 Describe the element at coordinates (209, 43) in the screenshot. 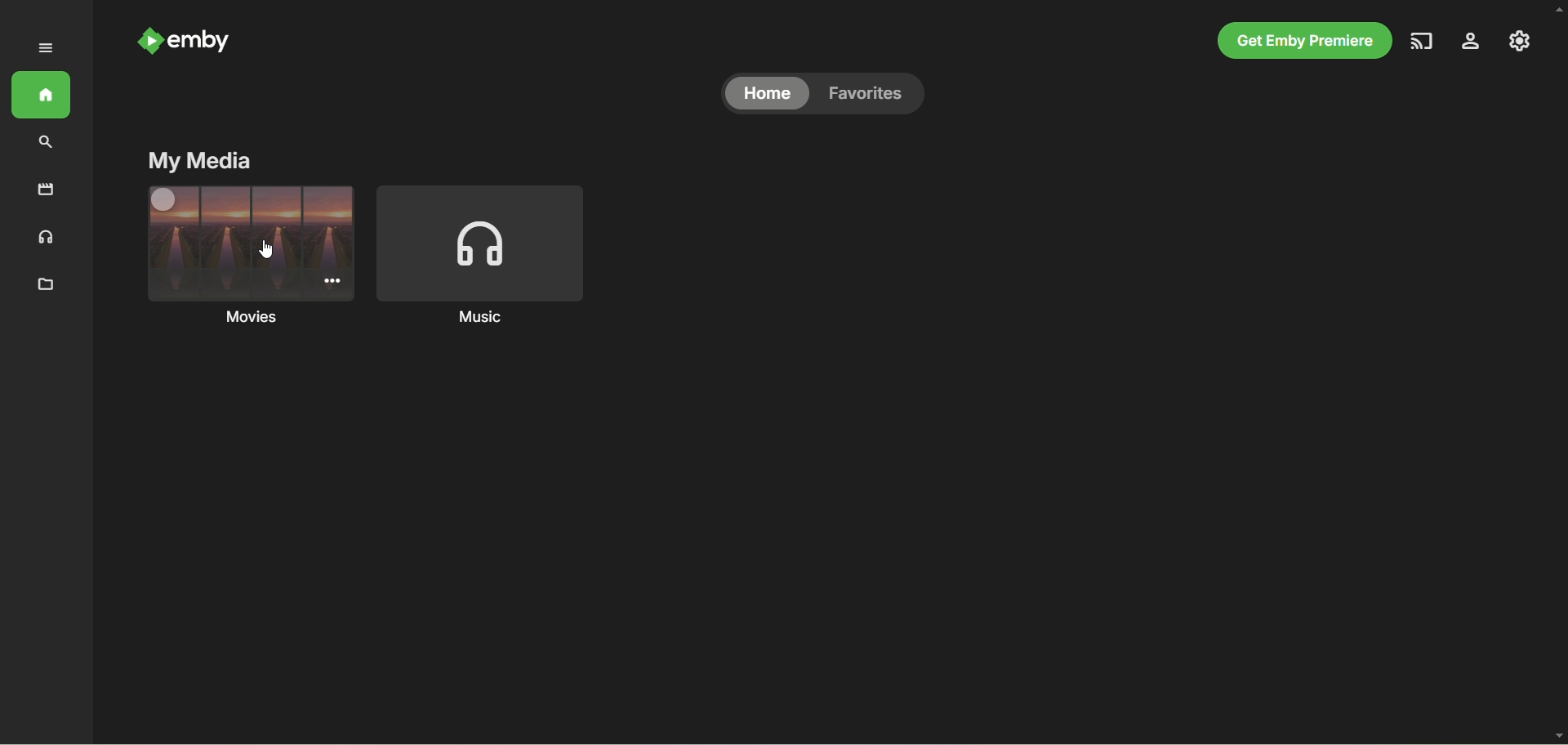

I see `emby` at that location.